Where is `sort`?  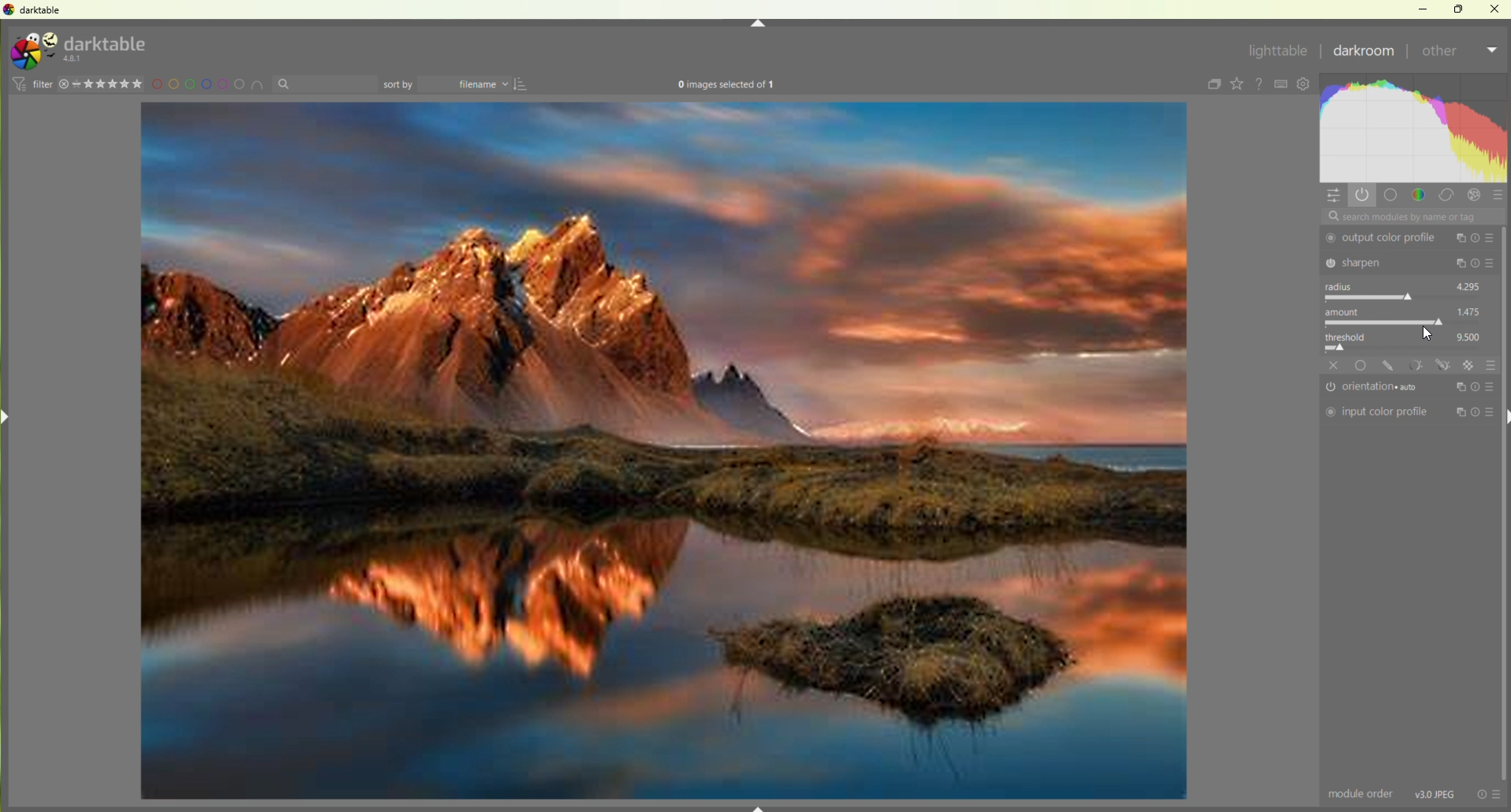 sort is located at coordinates (524, 84).